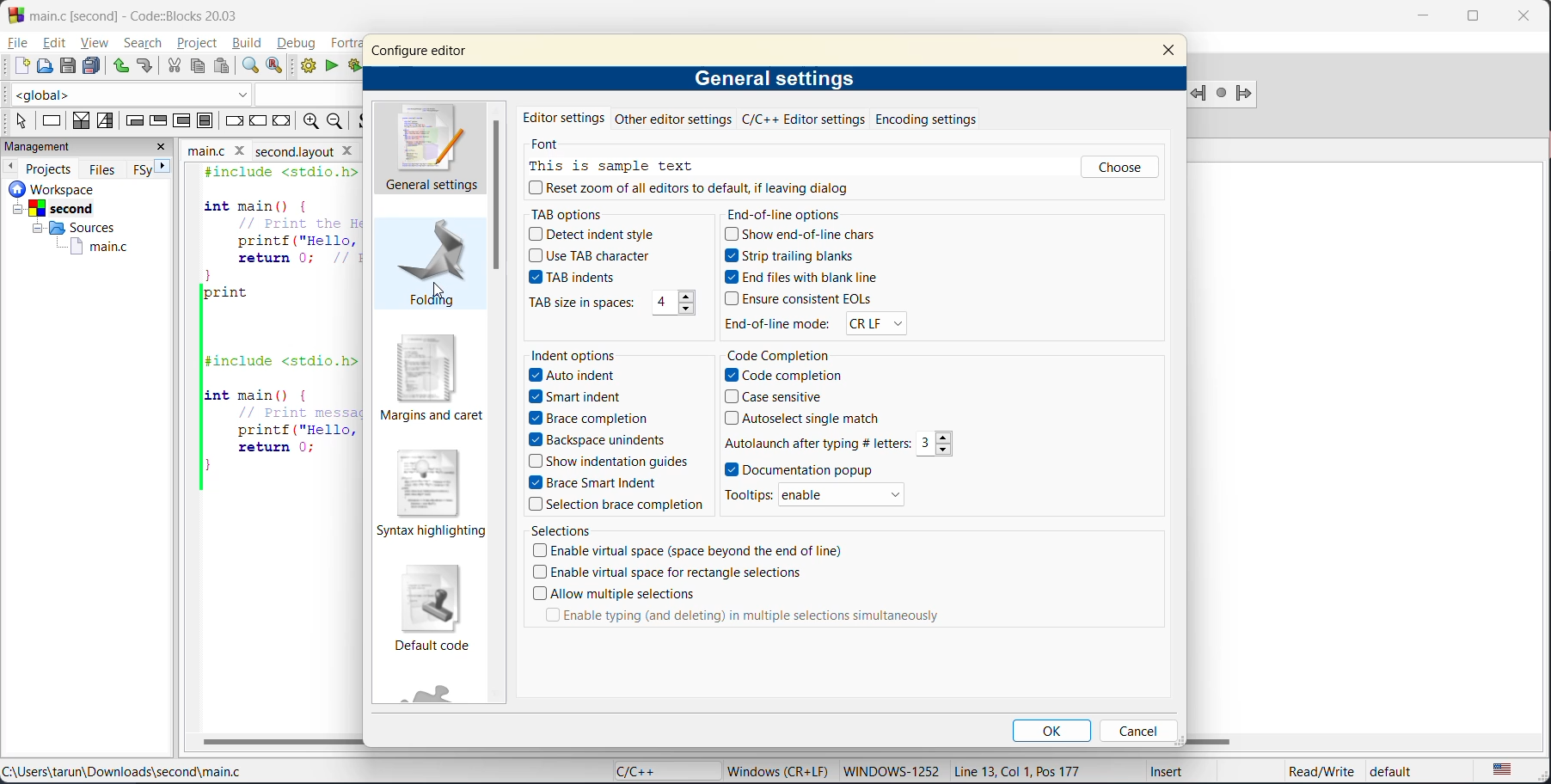 The image size is (1551, 784). Describe the element at coordinates (785, 376) in the screenshot. I see `Code completion` at that location.